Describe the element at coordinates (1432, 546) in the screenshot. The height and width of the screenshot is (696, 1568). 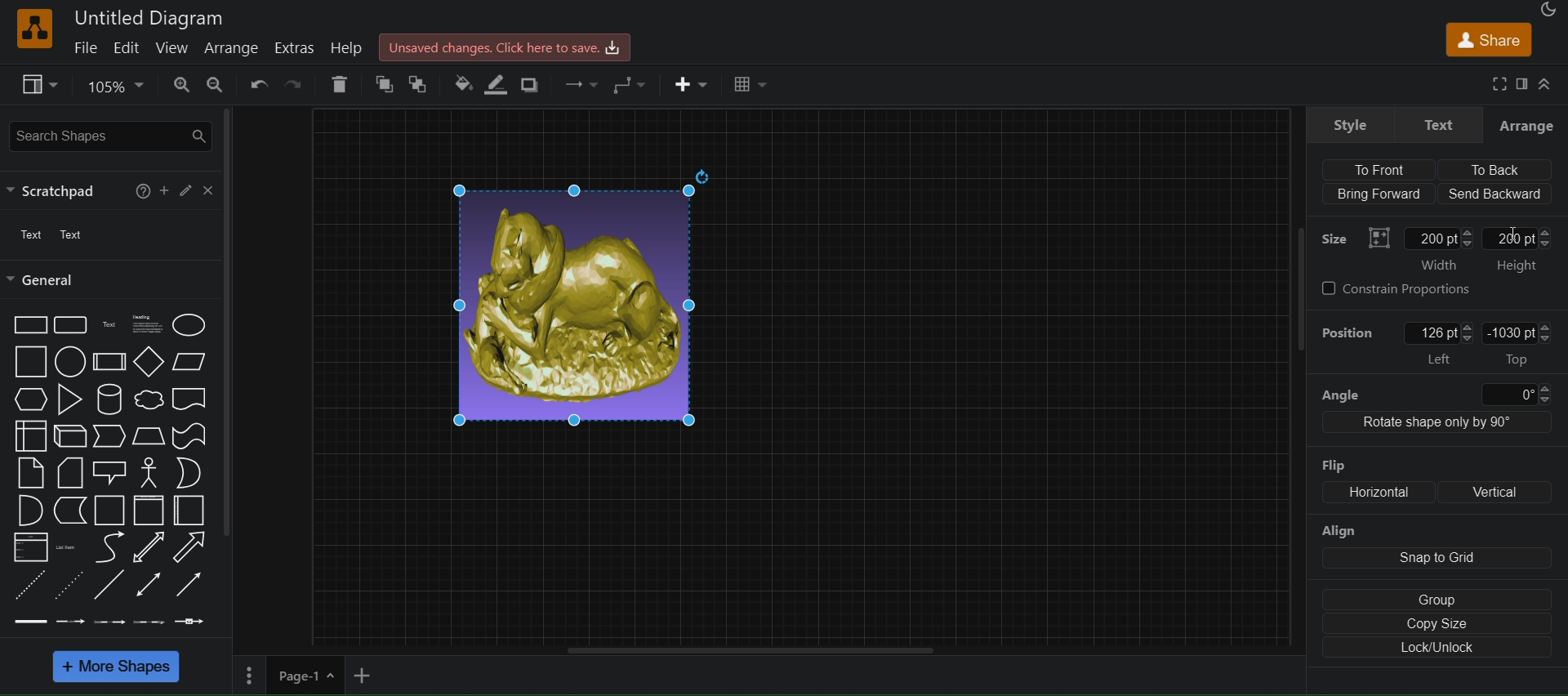
I see `align` at that location.